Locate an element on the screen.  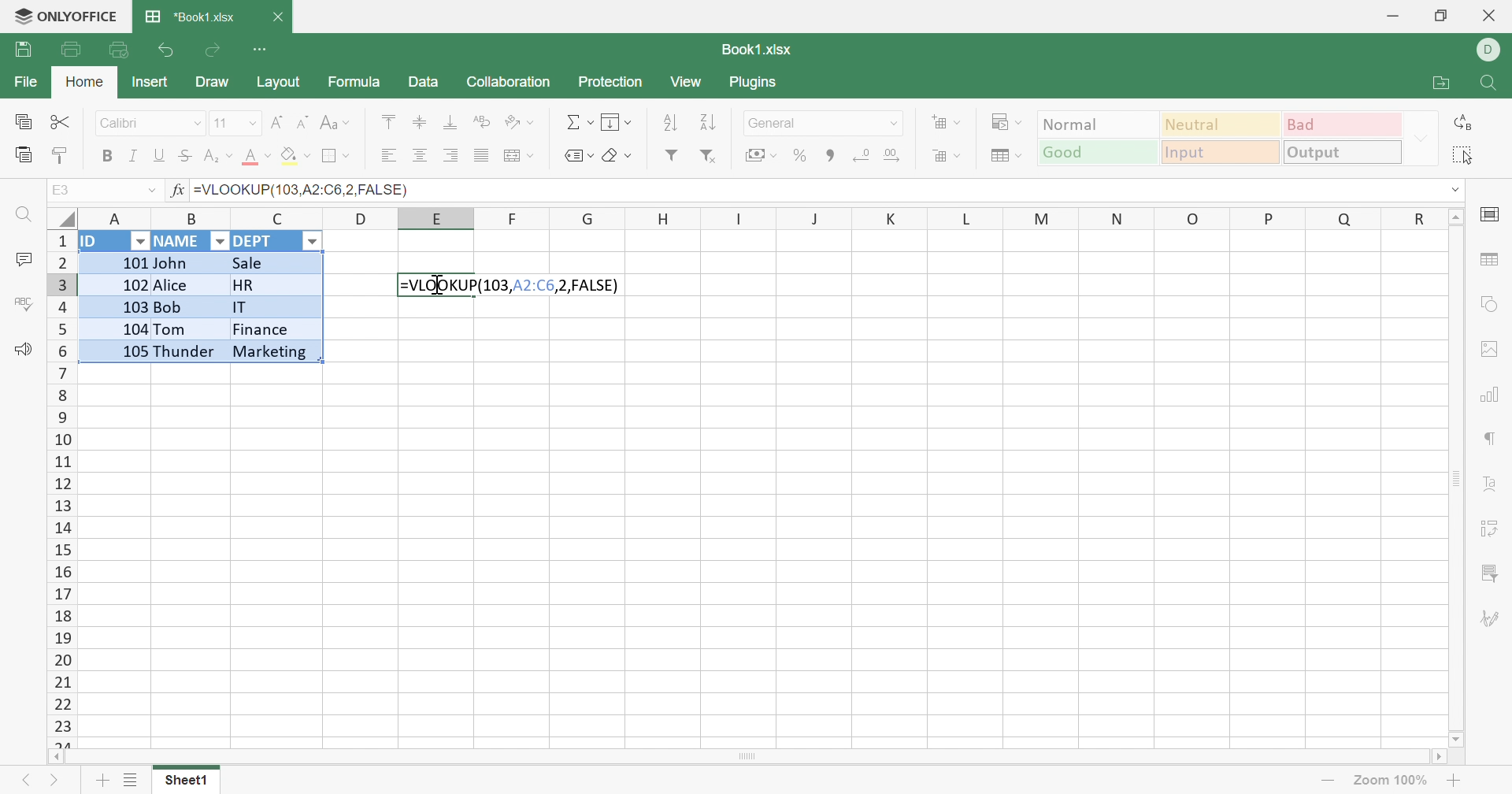
Previous is located at coordinates (31, 784).